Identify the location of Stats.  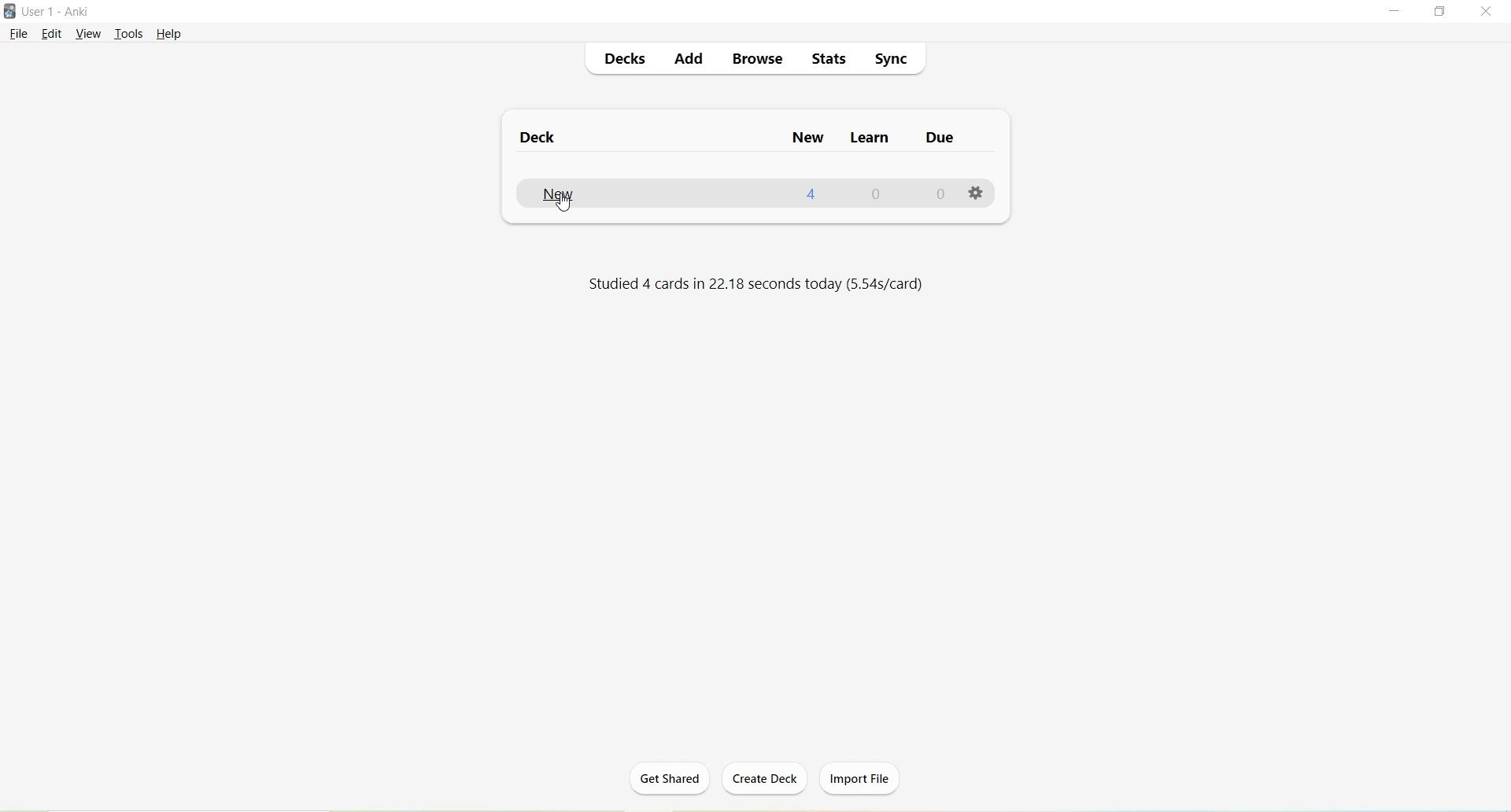
(829, 61).